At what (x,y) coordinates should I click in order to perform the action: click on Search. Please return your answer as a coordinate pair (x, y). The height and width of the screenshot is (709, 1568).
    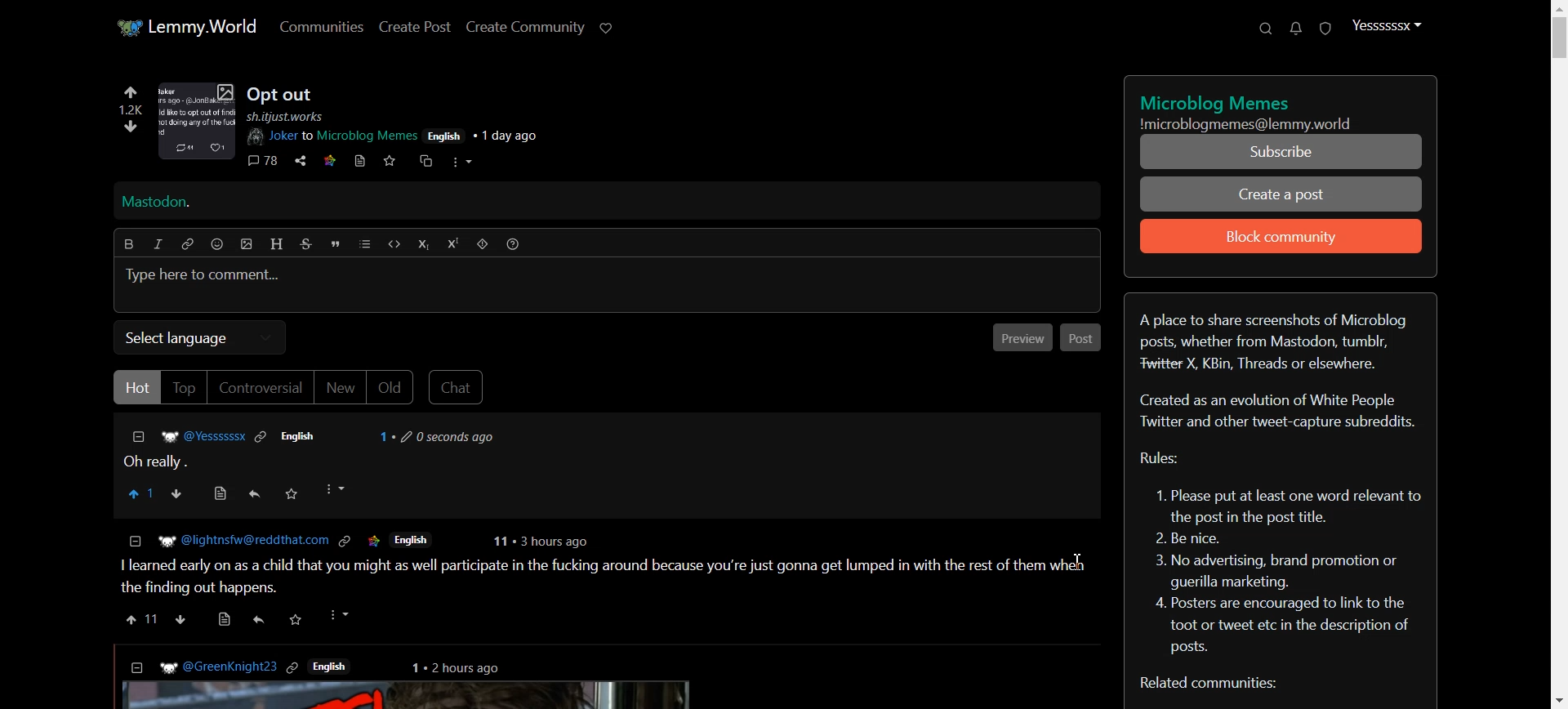
    Looking at the image, I should click on (1267, 28).